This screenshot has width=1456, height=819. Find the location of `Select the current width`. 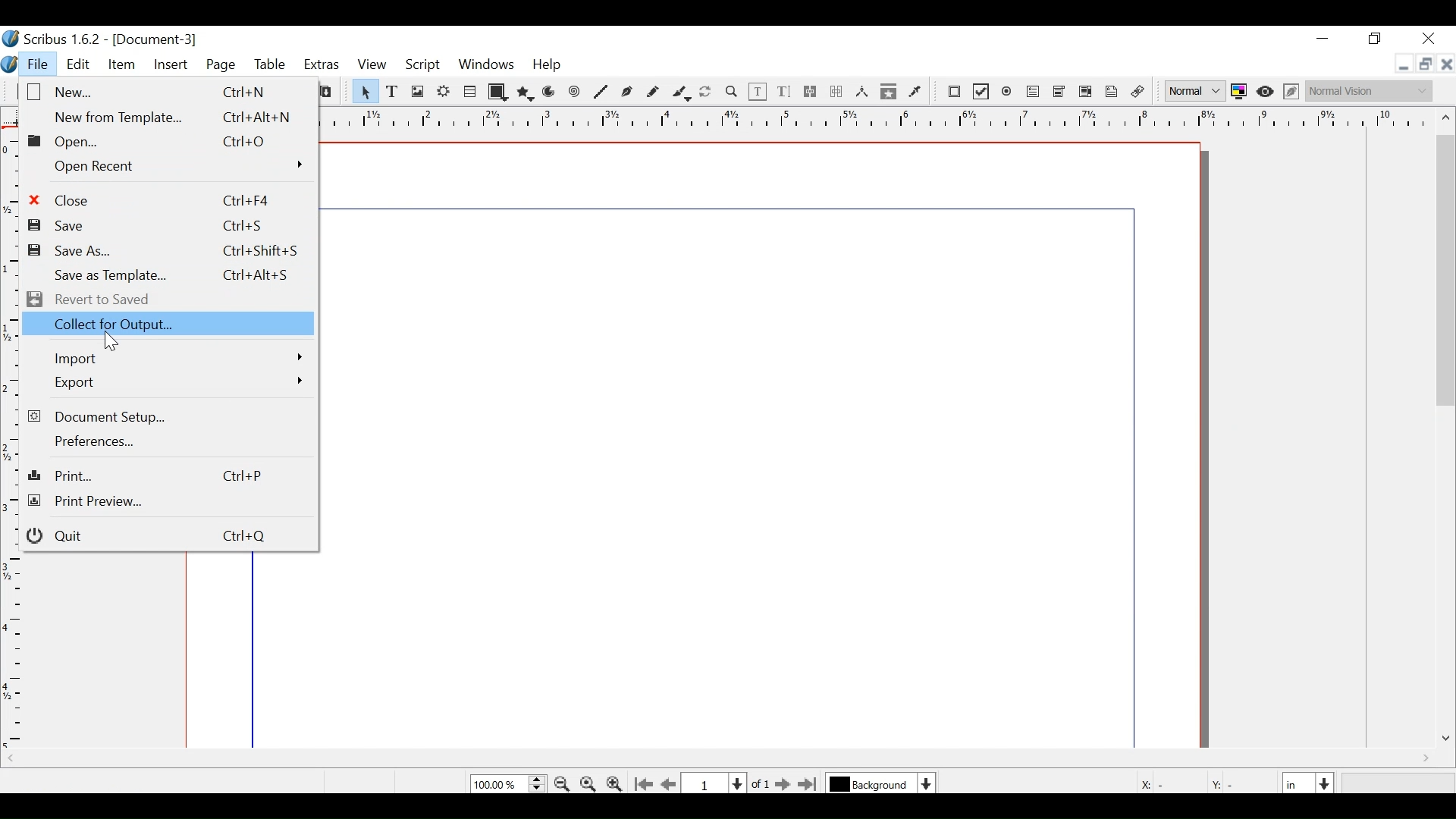

Select the current width is located at coordinates (1298, 782).